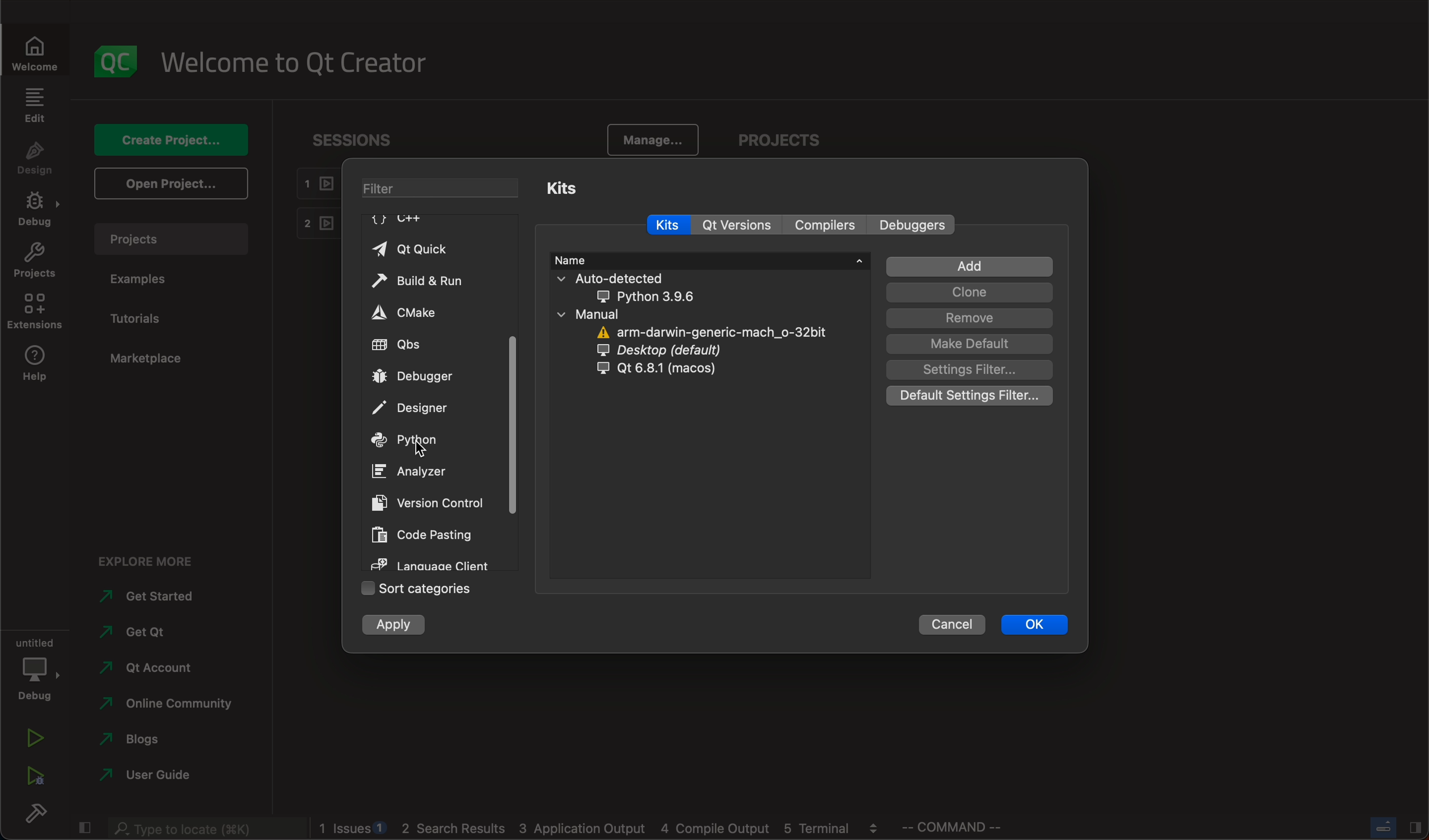  Describe the element at coordinates (974, 370) in the screenshot. I see `setting filter` at that location.